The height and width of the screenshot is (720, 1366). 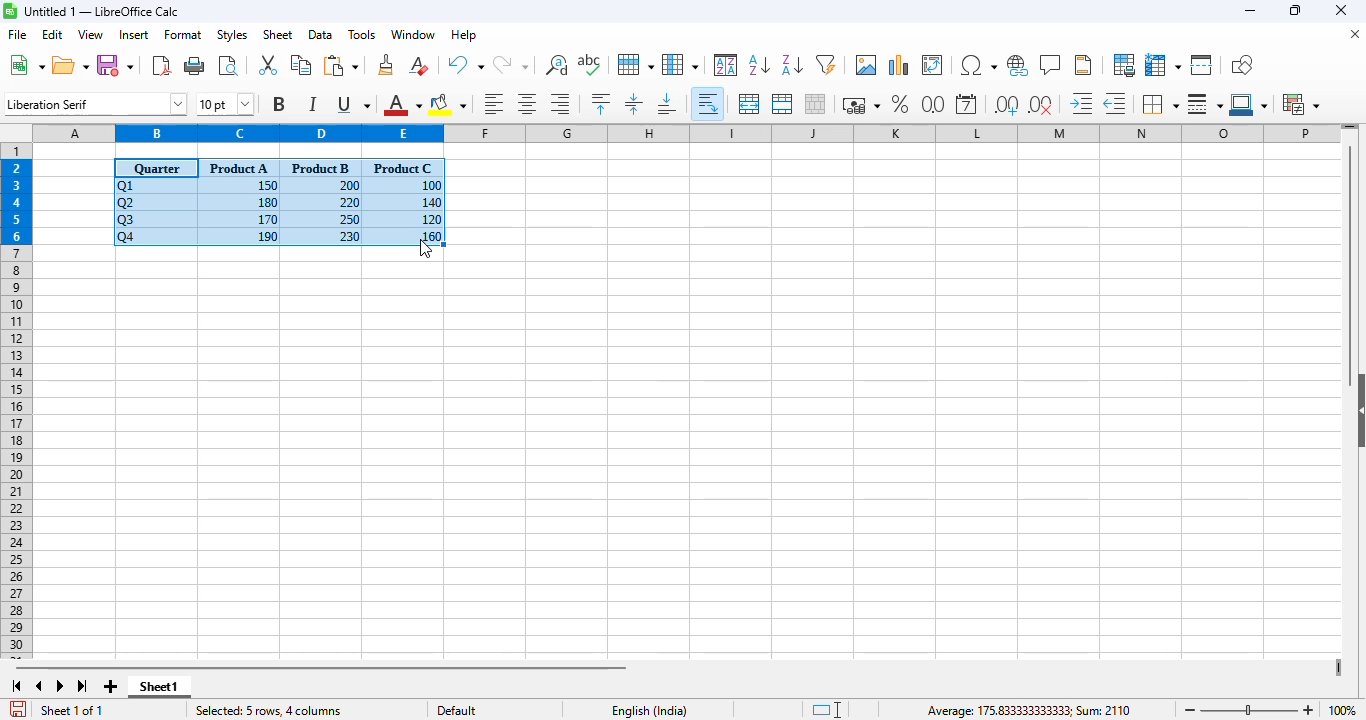 I want to click on selected: 5 rows, 4 columns, so click(x=276, y=710).